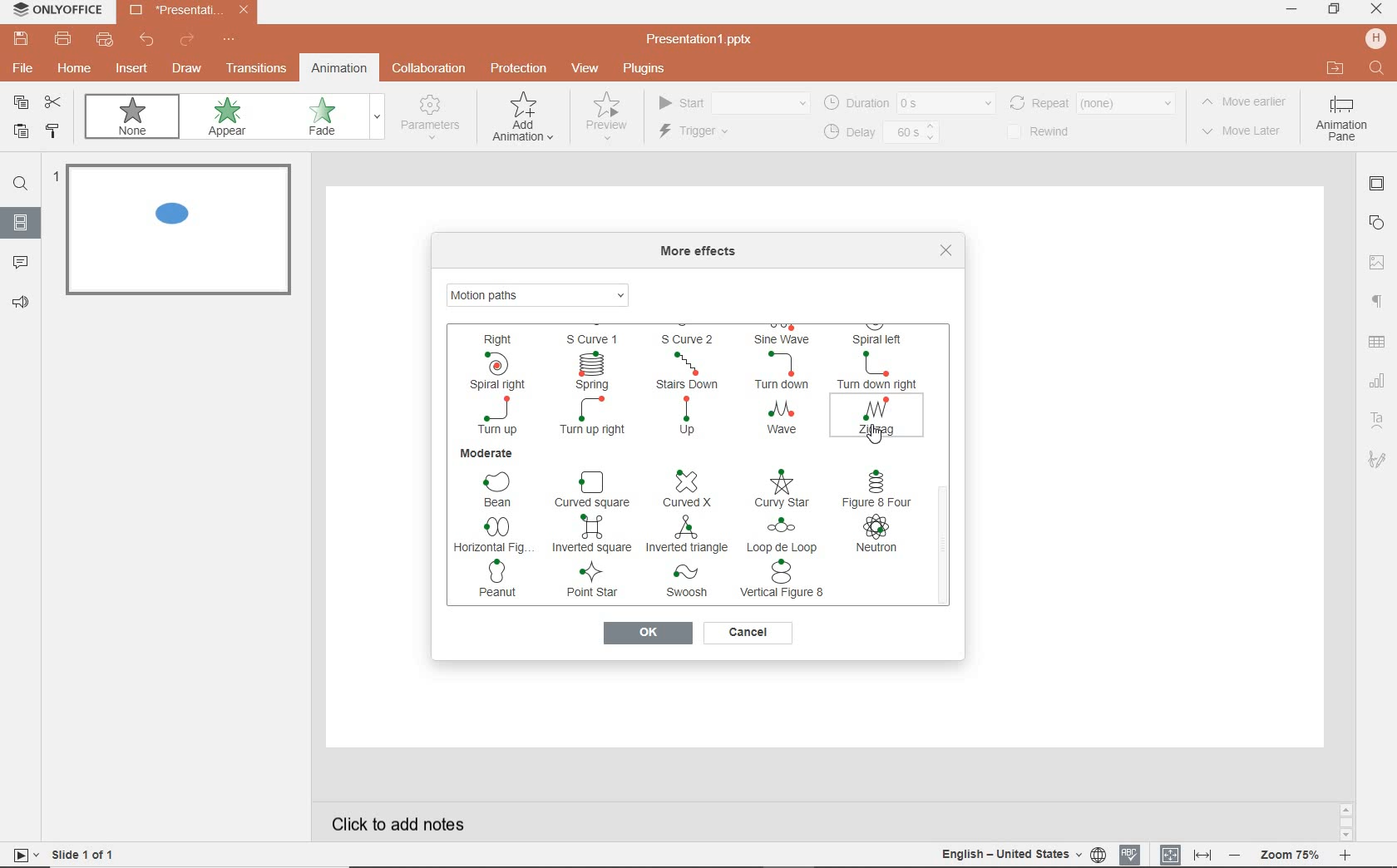 The image size is (1397, 868). I want to click on curvy star, so click(782, 489).